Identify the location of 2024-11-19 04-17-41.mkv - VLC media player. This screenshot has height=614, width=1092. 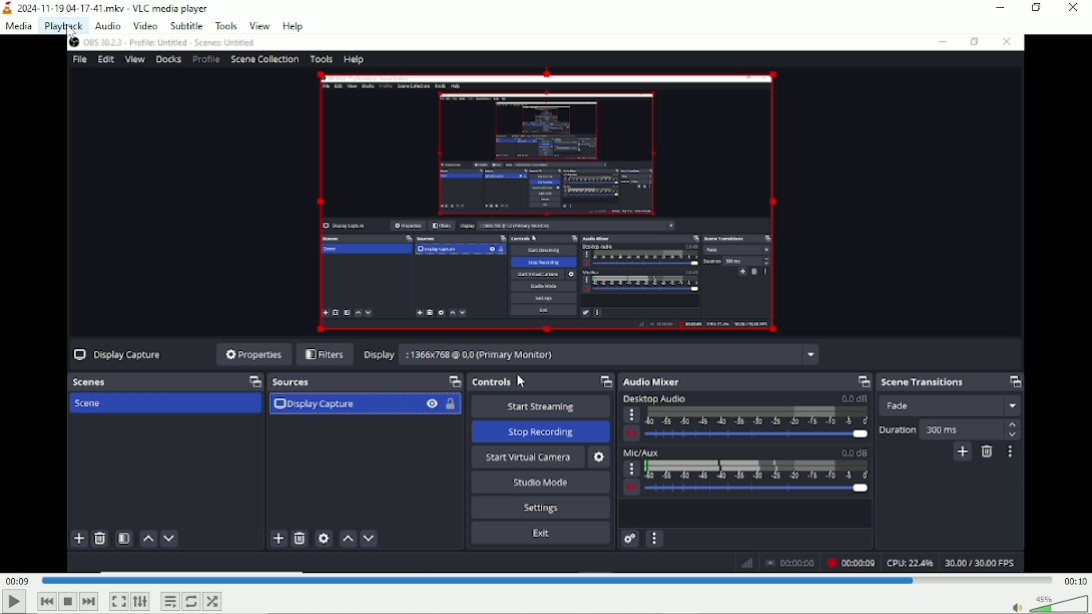
(107, 8).